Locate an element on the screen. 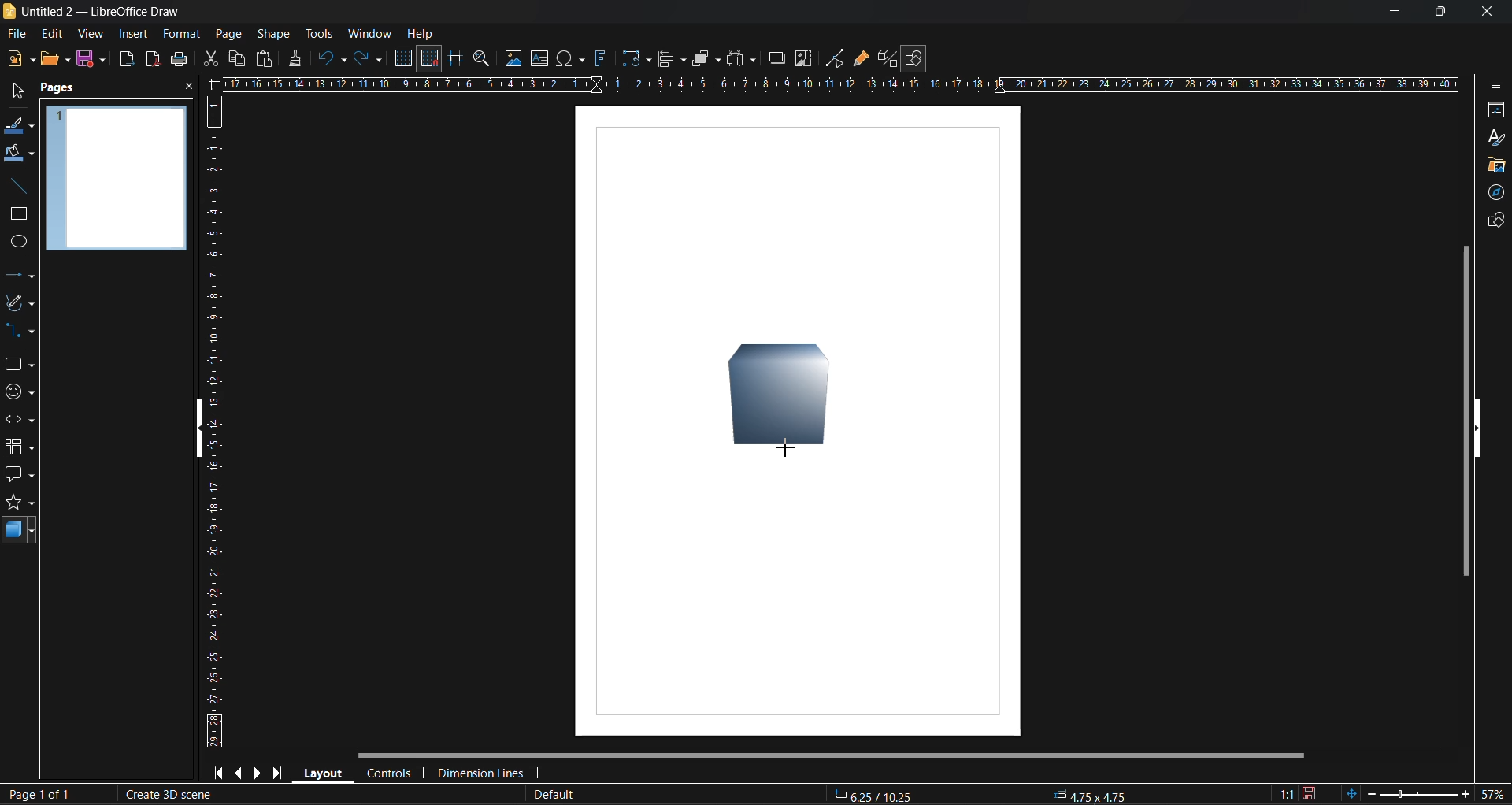 Image resolution: width=1512 pixels, height=805 pixels. zoom factor is located at coordinates (1494, 792).